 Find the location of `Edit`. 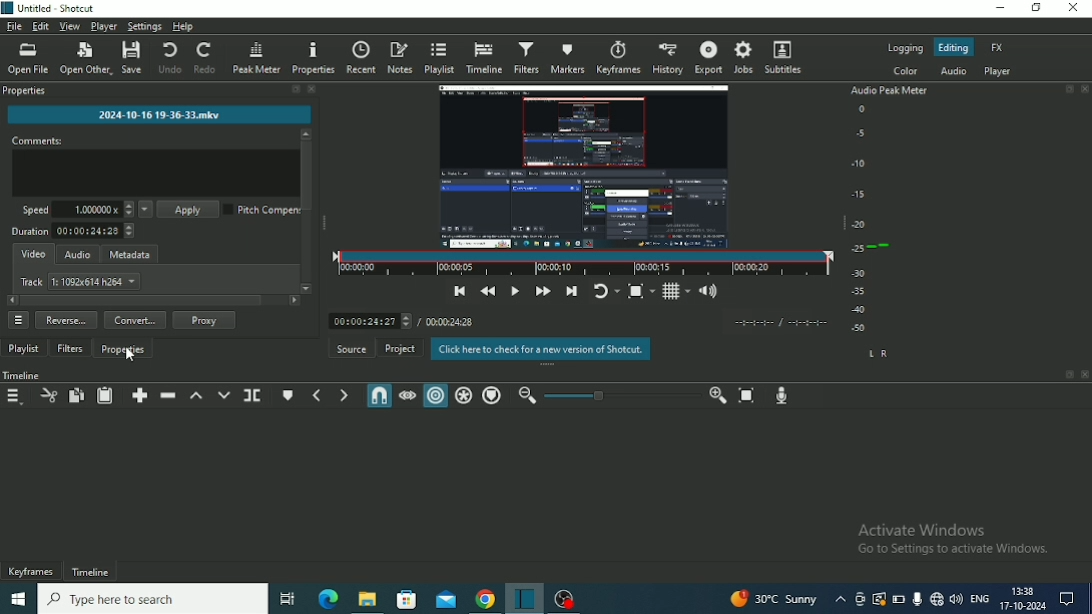

Edit is located at coordinates (40, 27).